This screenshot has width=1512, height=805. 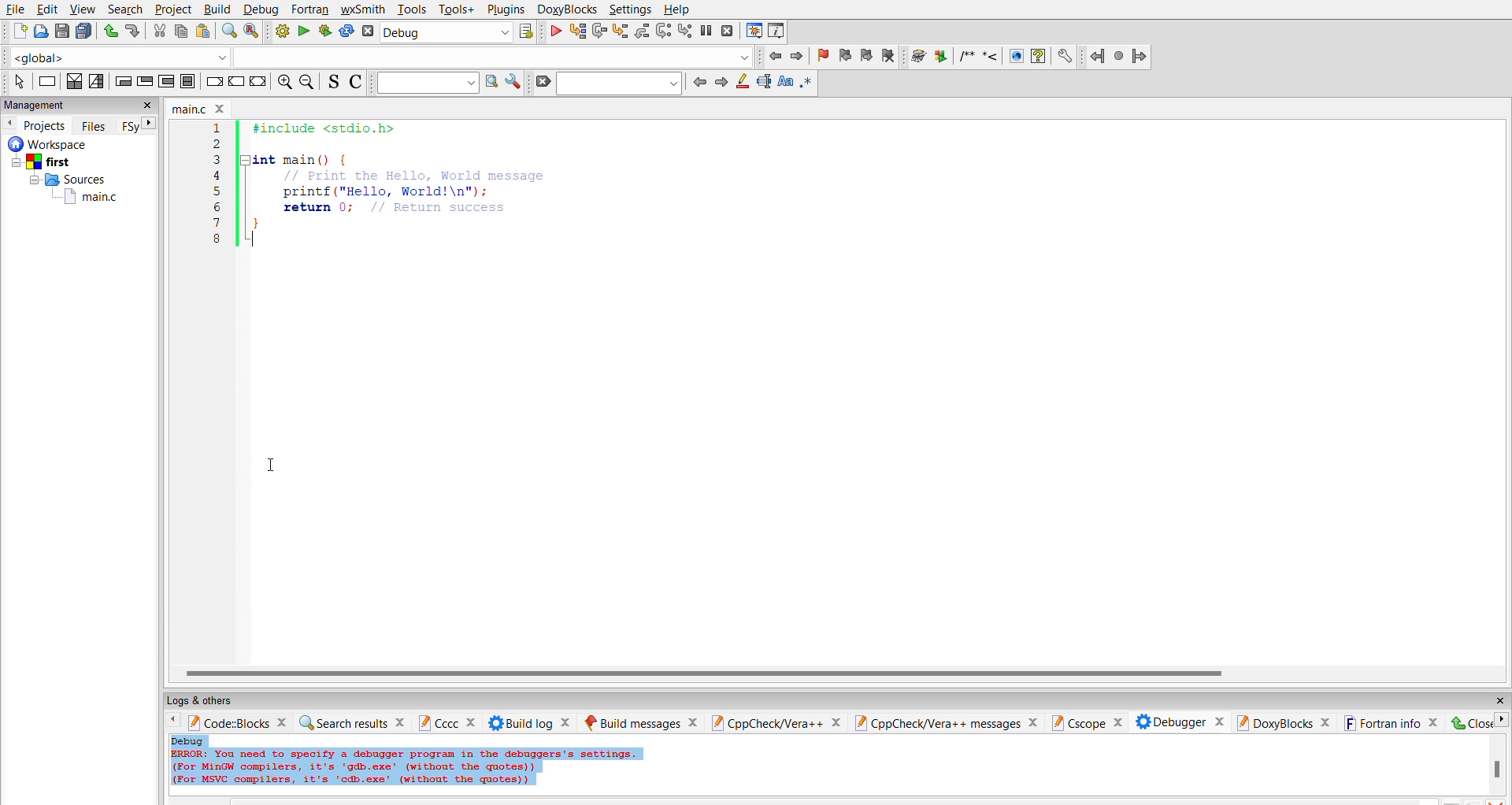 I want to click on redo, so click(x=135, y=32).